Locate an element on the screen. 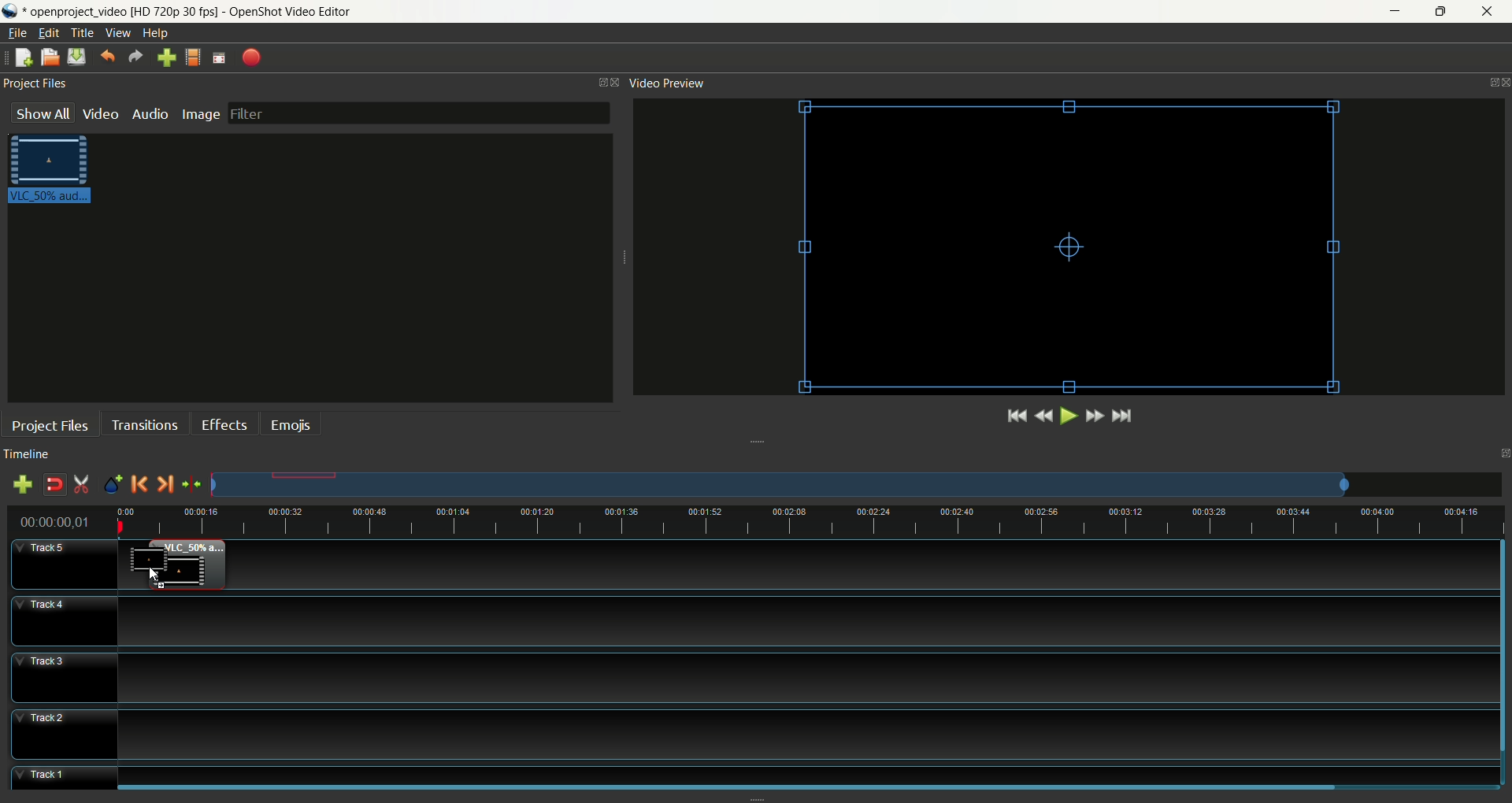 The image size is (1512, 803). time is located at coordinates (56, 523).